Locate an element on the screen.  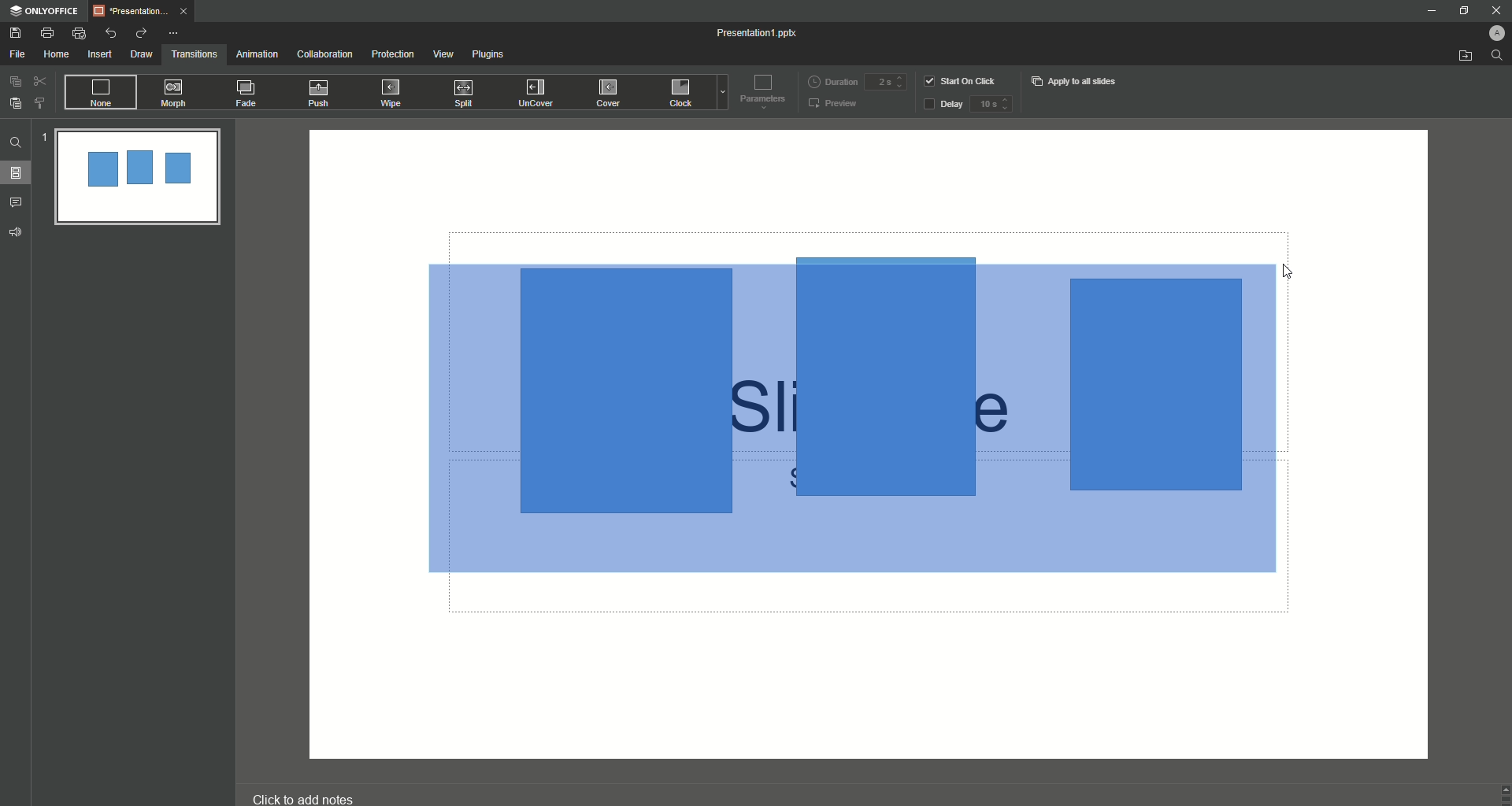
Fade is located at coordinates (247, 96).